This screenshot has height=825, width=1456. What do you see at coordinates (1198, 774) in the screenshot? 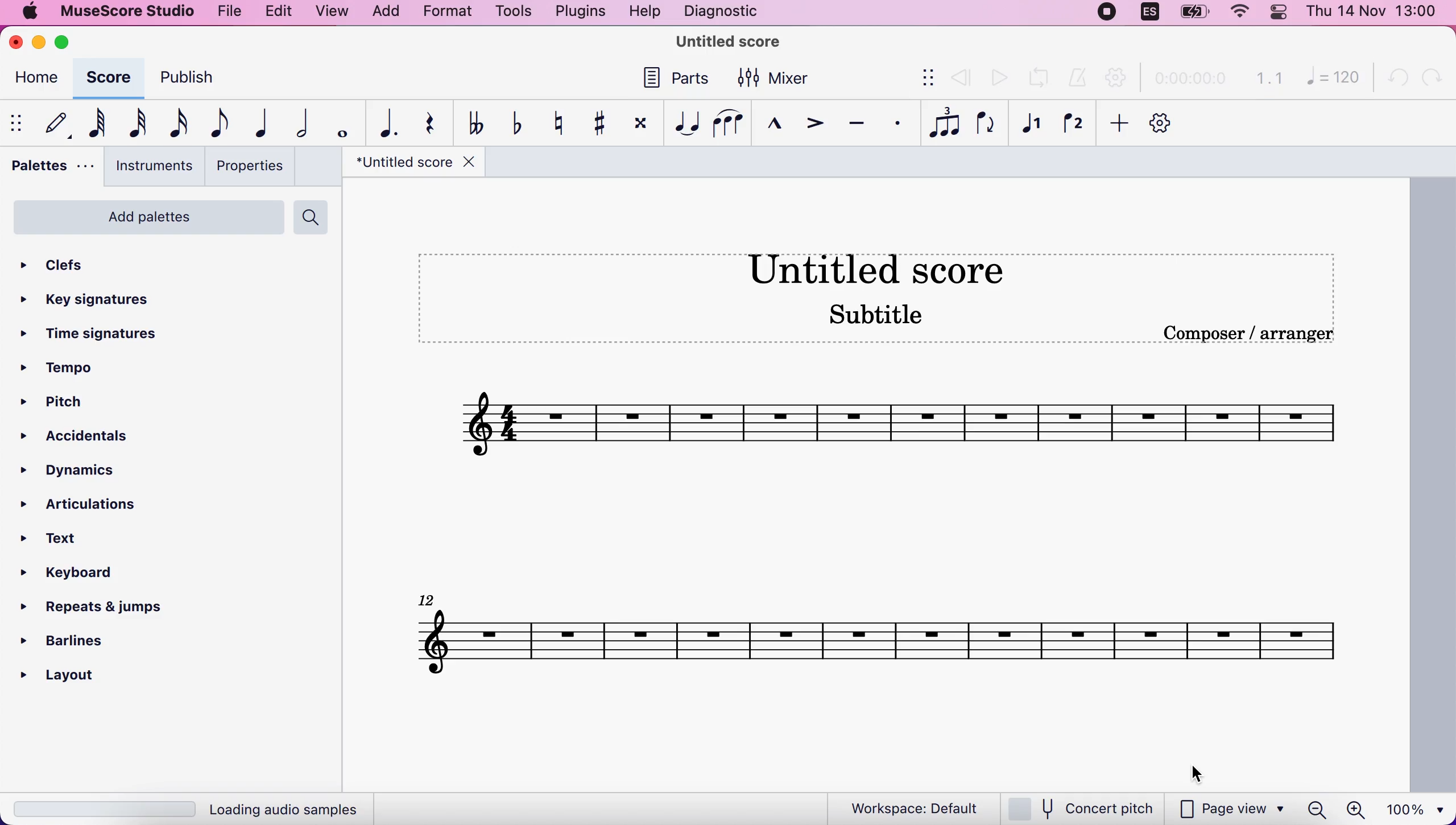
I see `cursor` at bounding box center [1198, 774].